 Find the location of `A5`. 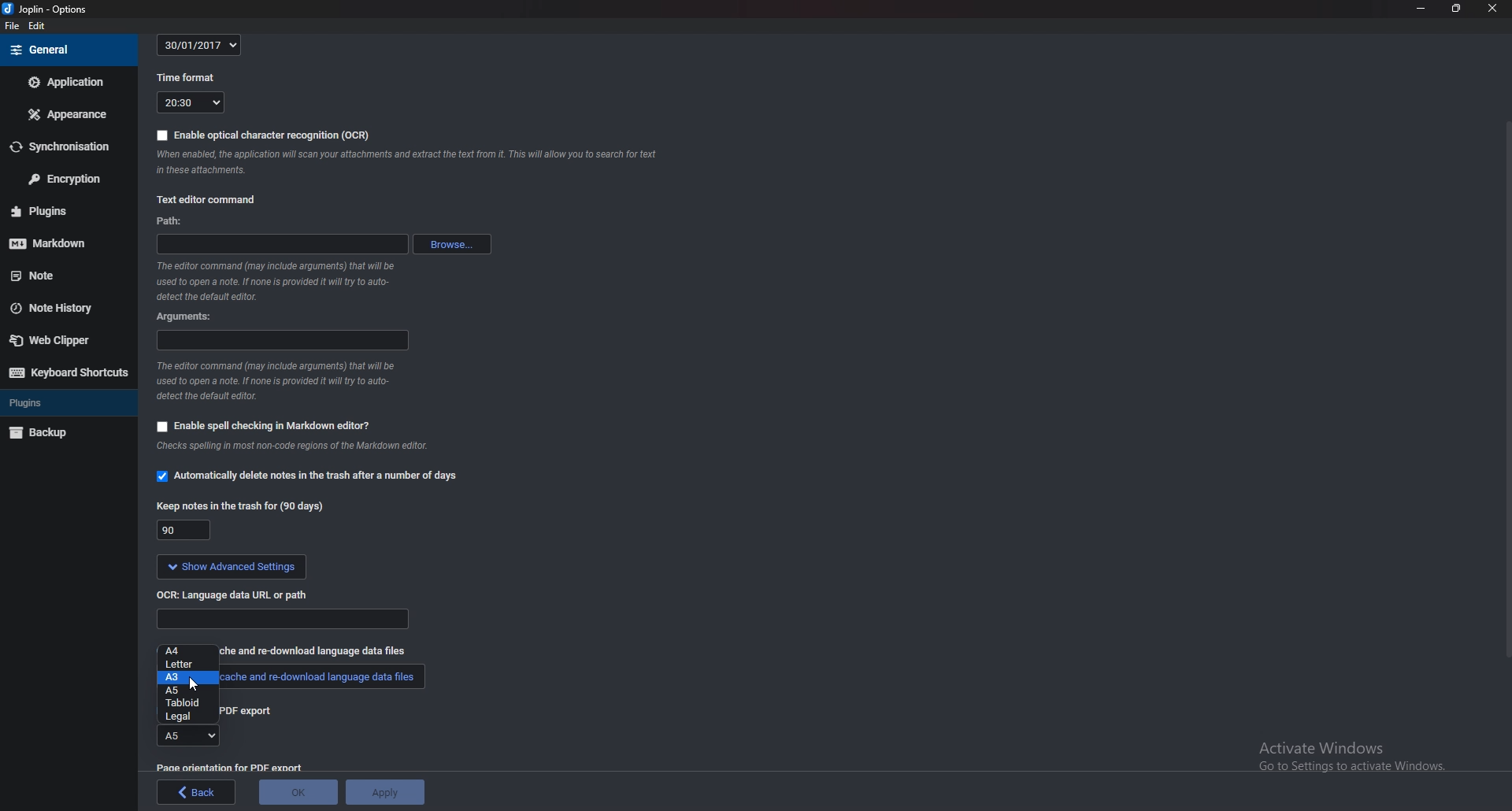

A5 is located at coordinates (183, 691).